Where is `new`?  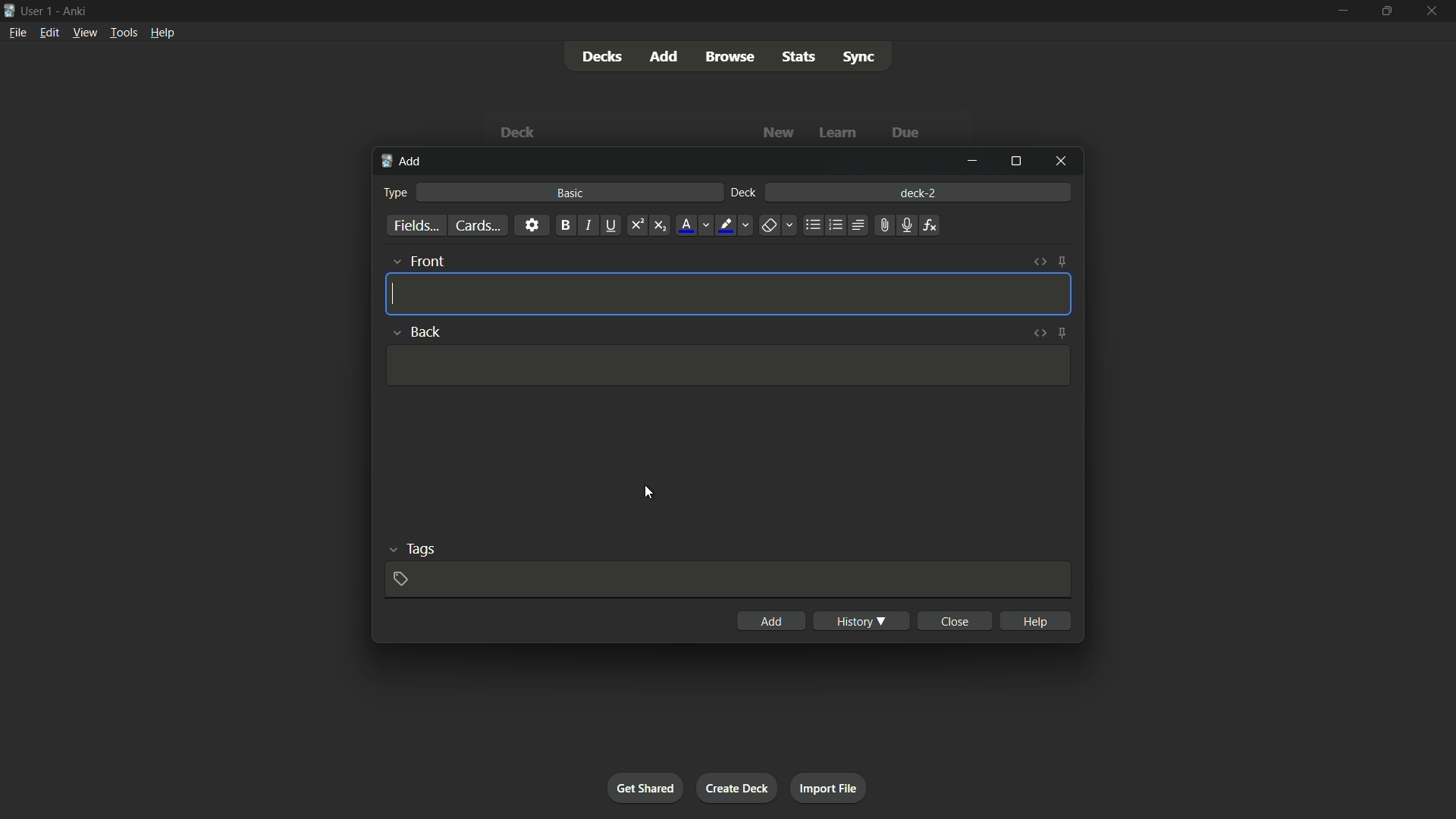 new is located at coordinates (779, 133).